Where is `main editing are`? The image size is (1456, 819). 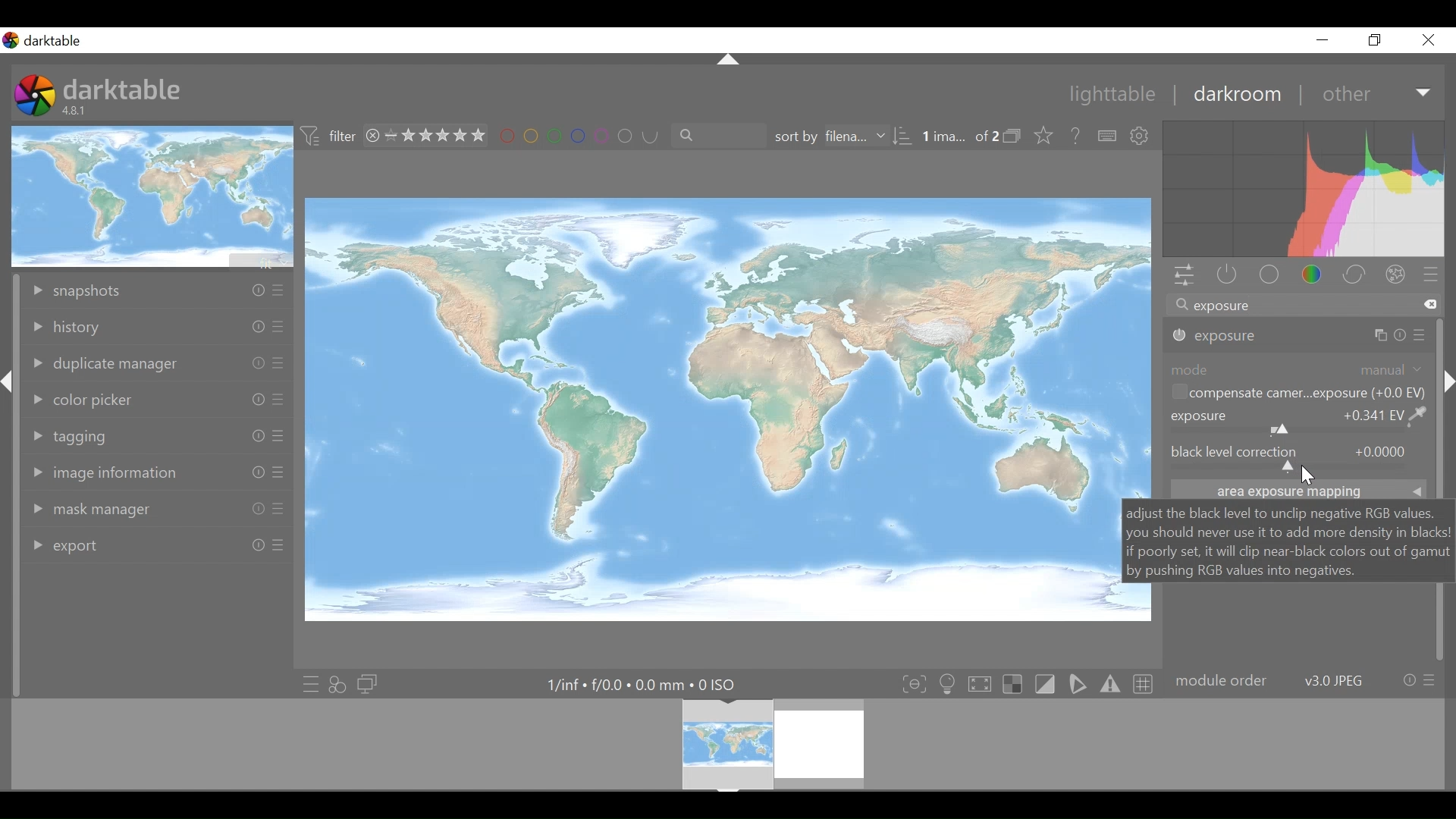
main editing are is located at coordinates (708, 409).